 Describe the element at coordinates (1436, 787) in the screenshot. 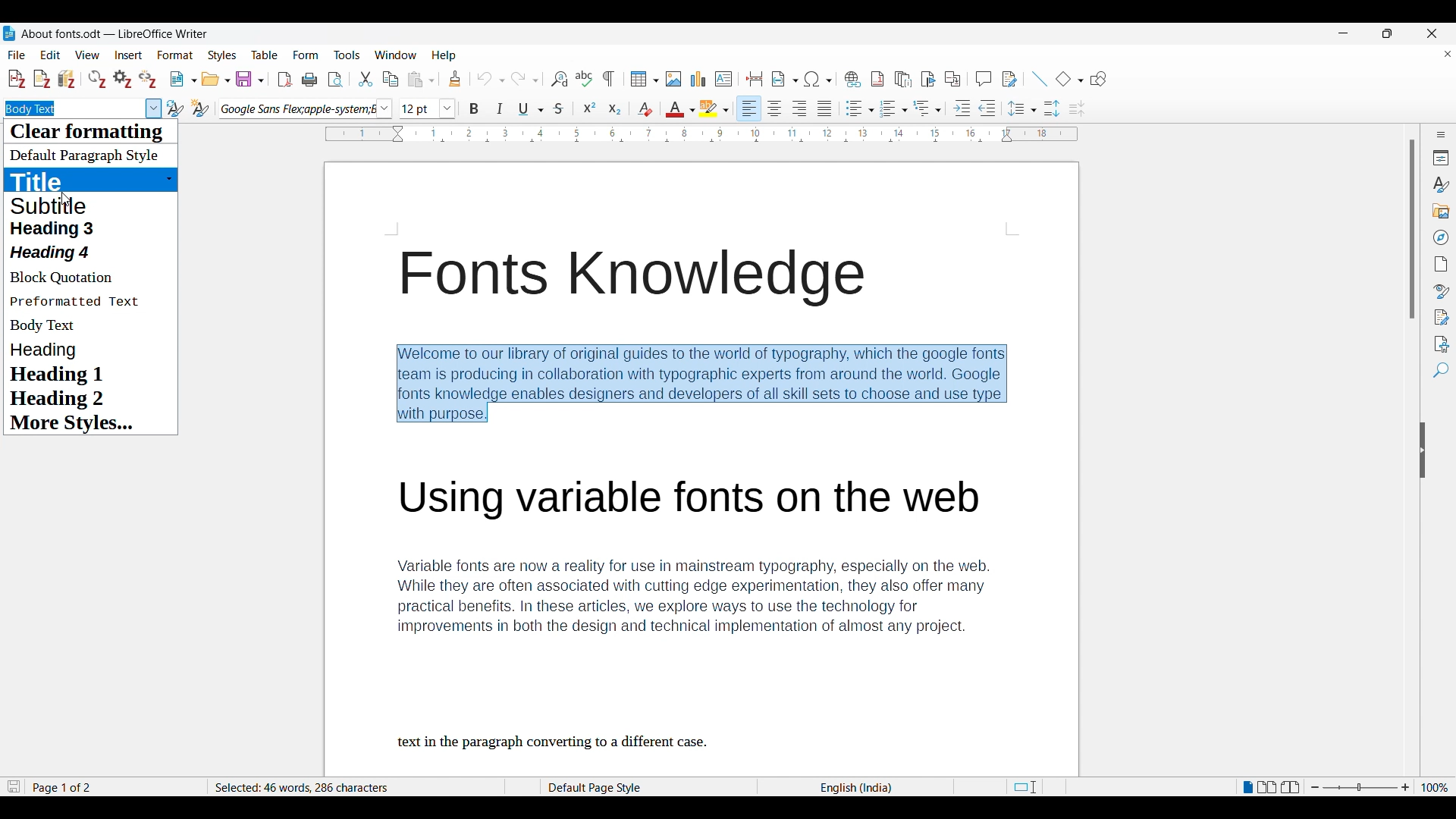

I see `Current zoom factor` at that location.